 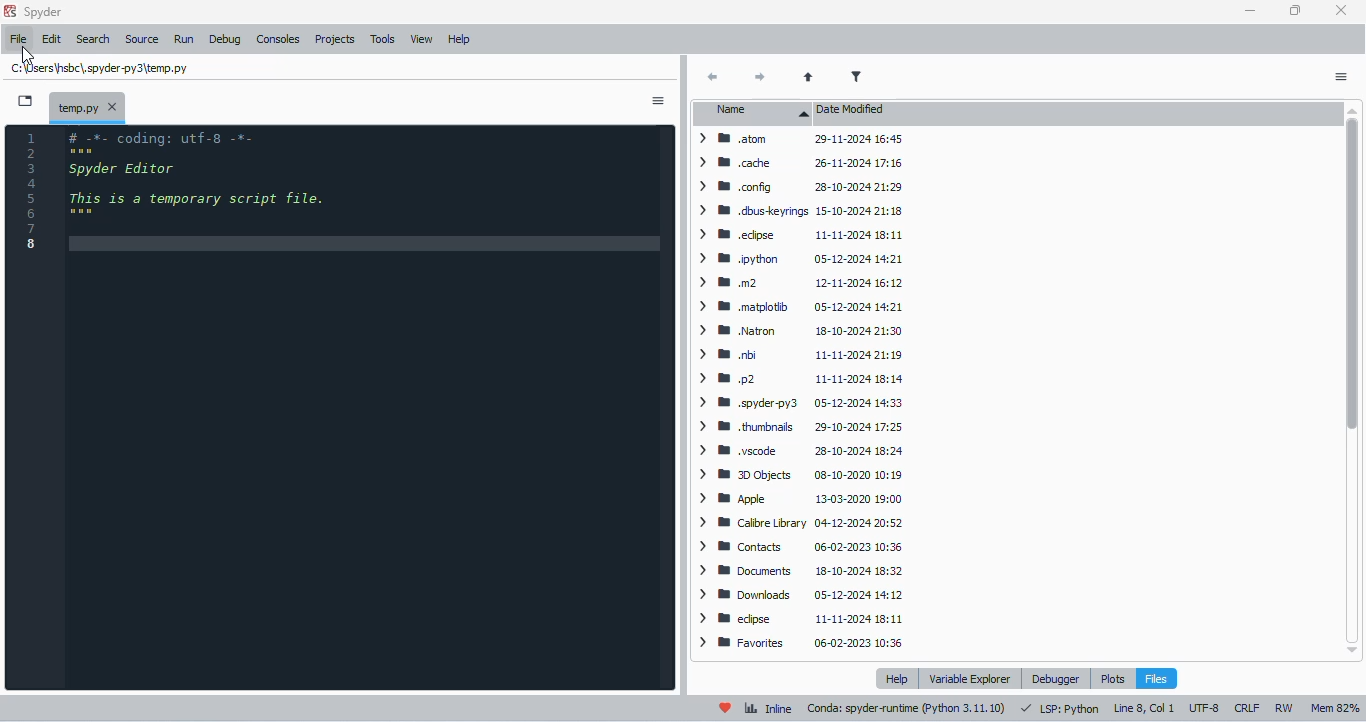 What do you see at coordinates (1143, 709) in the screenshot?
I see `line 8, col 1` at bounding box center [1143, 709].